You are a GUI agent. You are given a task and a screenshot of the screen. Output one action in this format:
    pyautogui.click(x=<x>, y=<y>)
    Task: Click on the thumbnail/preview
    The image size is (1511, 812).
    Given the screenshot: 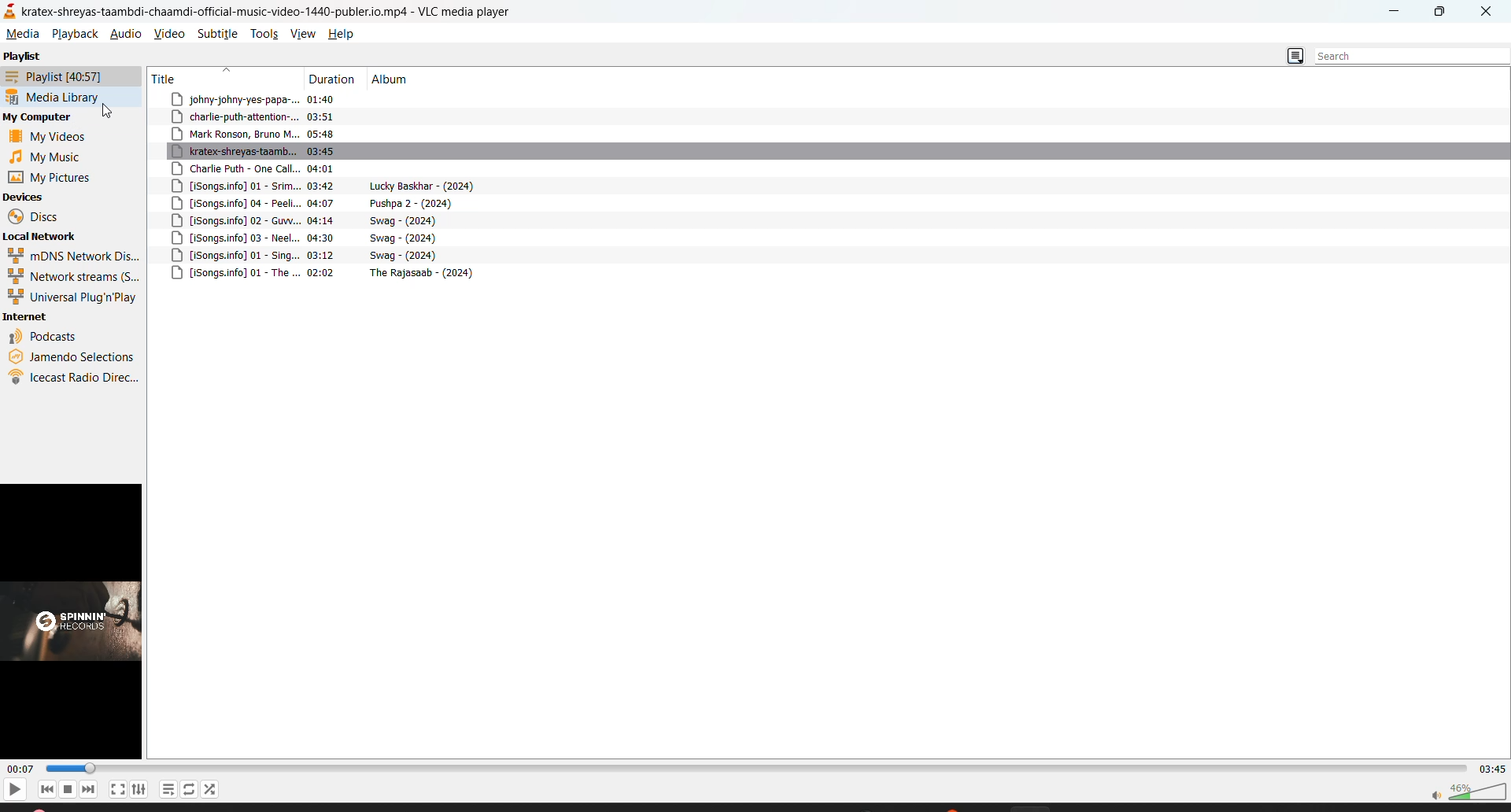 What is the action you would take?
    pyautogui.click(x=76, y=622)
    